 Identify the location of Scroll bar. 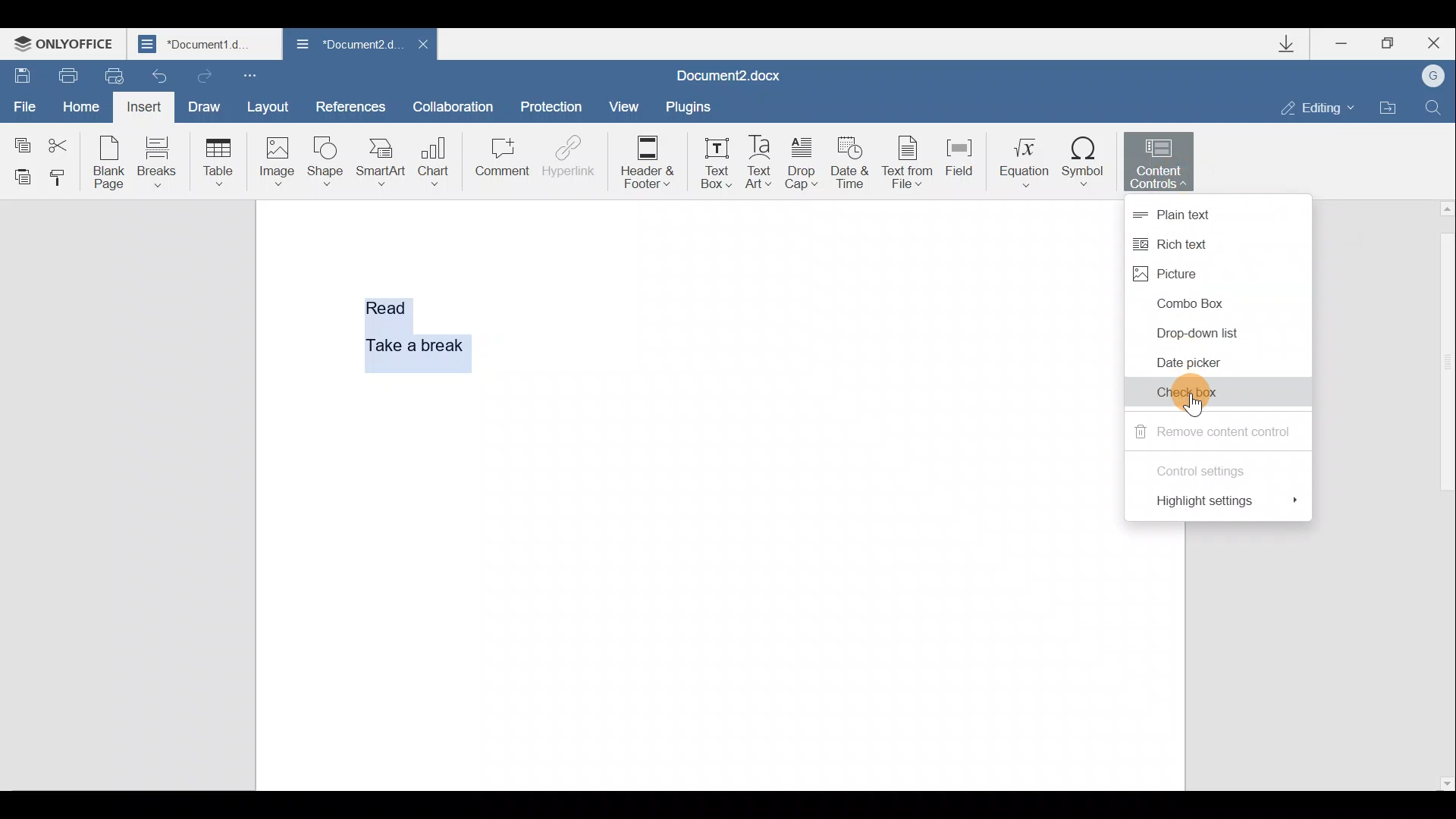
(1443, 494).